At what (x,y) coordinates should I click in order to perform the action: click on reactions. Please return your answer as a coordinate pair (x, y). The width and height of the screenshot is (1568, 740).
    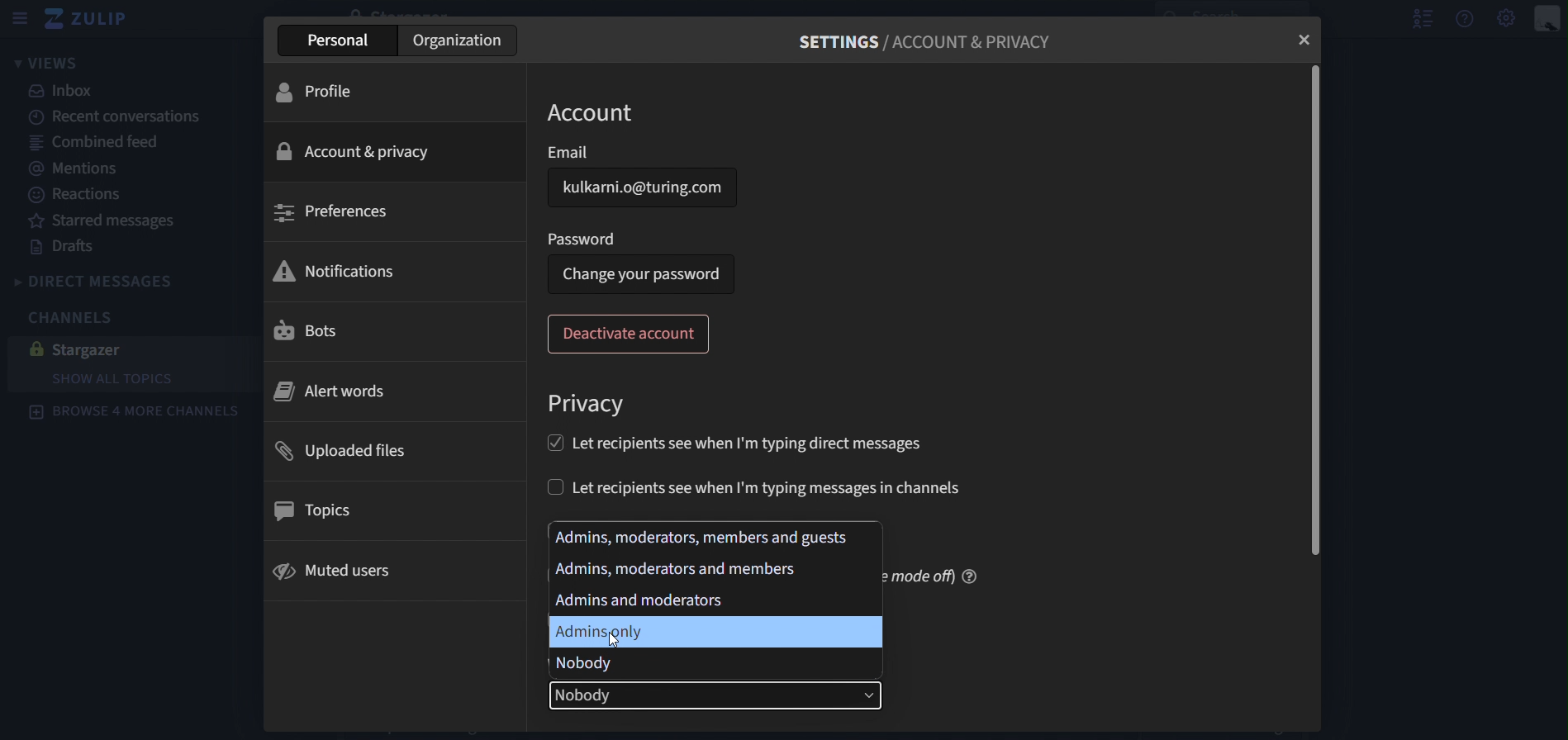
    Looking at the image, I should click on (76, 196).